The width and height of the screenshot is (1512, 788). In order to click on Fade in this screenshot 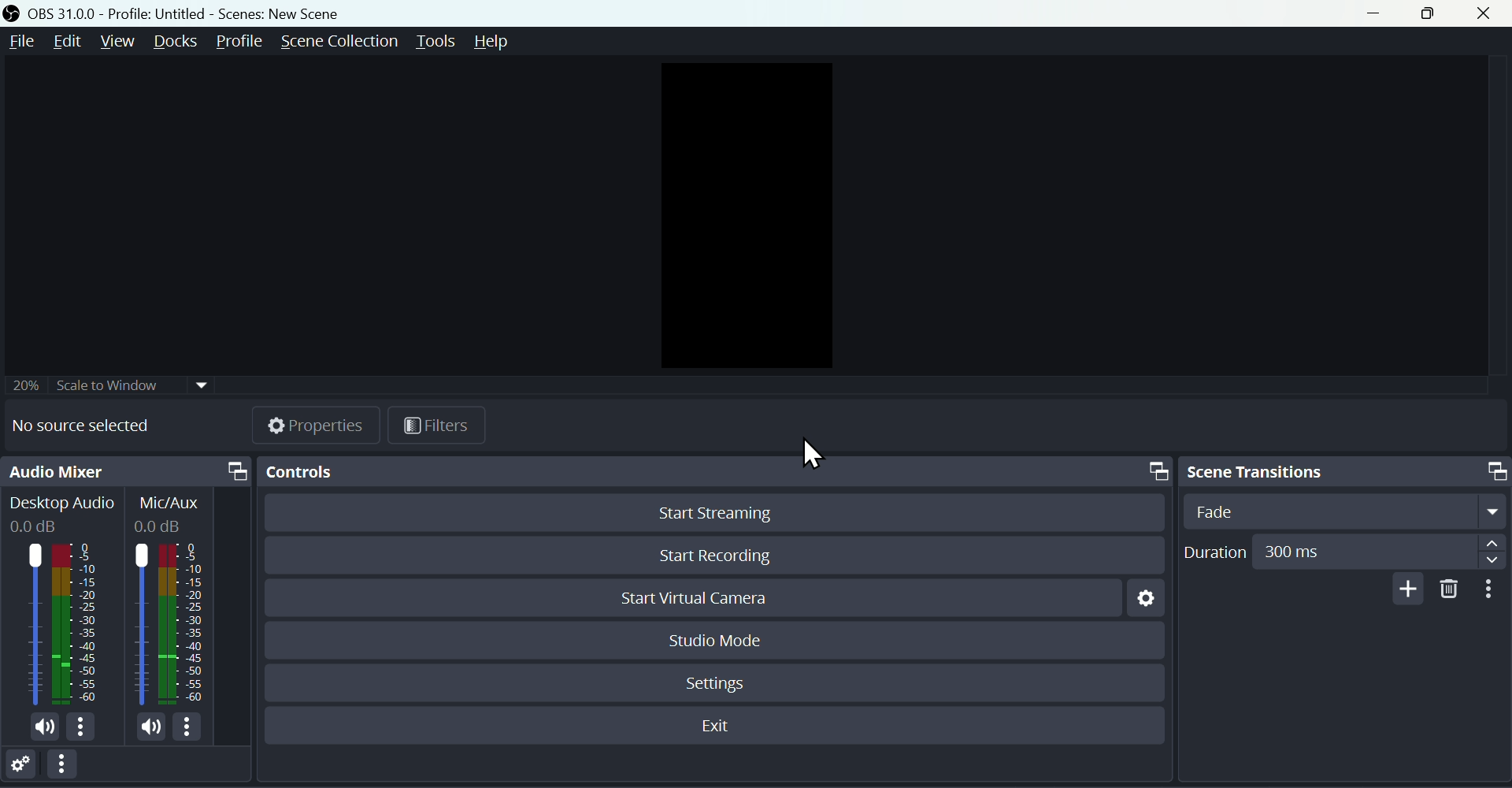, I will do `click(1340, 511)`.